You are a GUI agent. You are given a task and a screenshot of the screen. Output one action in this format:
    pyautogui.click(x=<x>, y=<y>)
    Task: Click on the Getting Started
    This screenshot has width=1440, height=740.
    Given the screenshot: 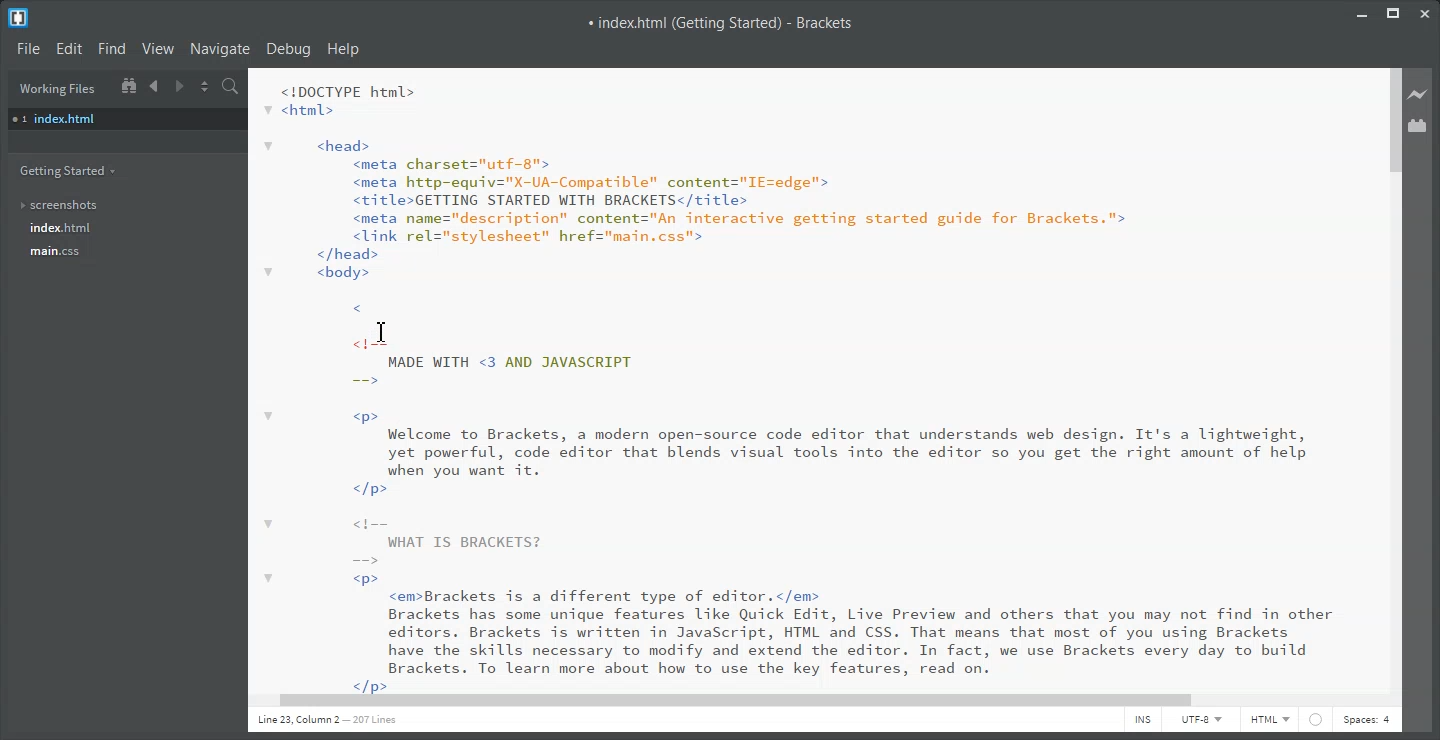 What is the action you would take?
    pyautogui.click(x=69, y=173)
    